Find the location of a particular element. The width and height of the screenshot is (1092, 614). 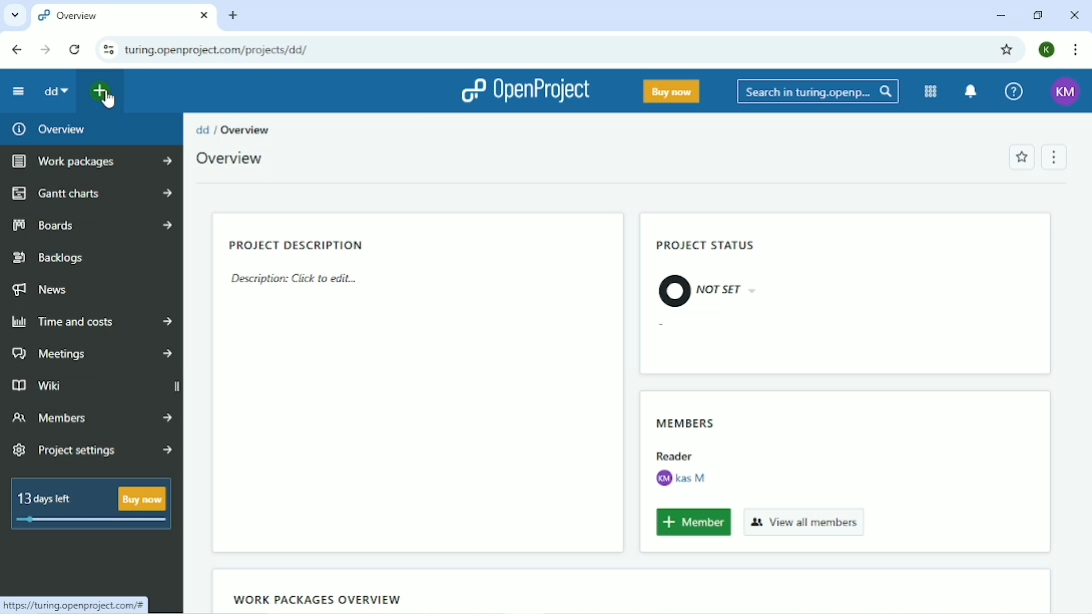

View site information is located at coordinates (108, 50).